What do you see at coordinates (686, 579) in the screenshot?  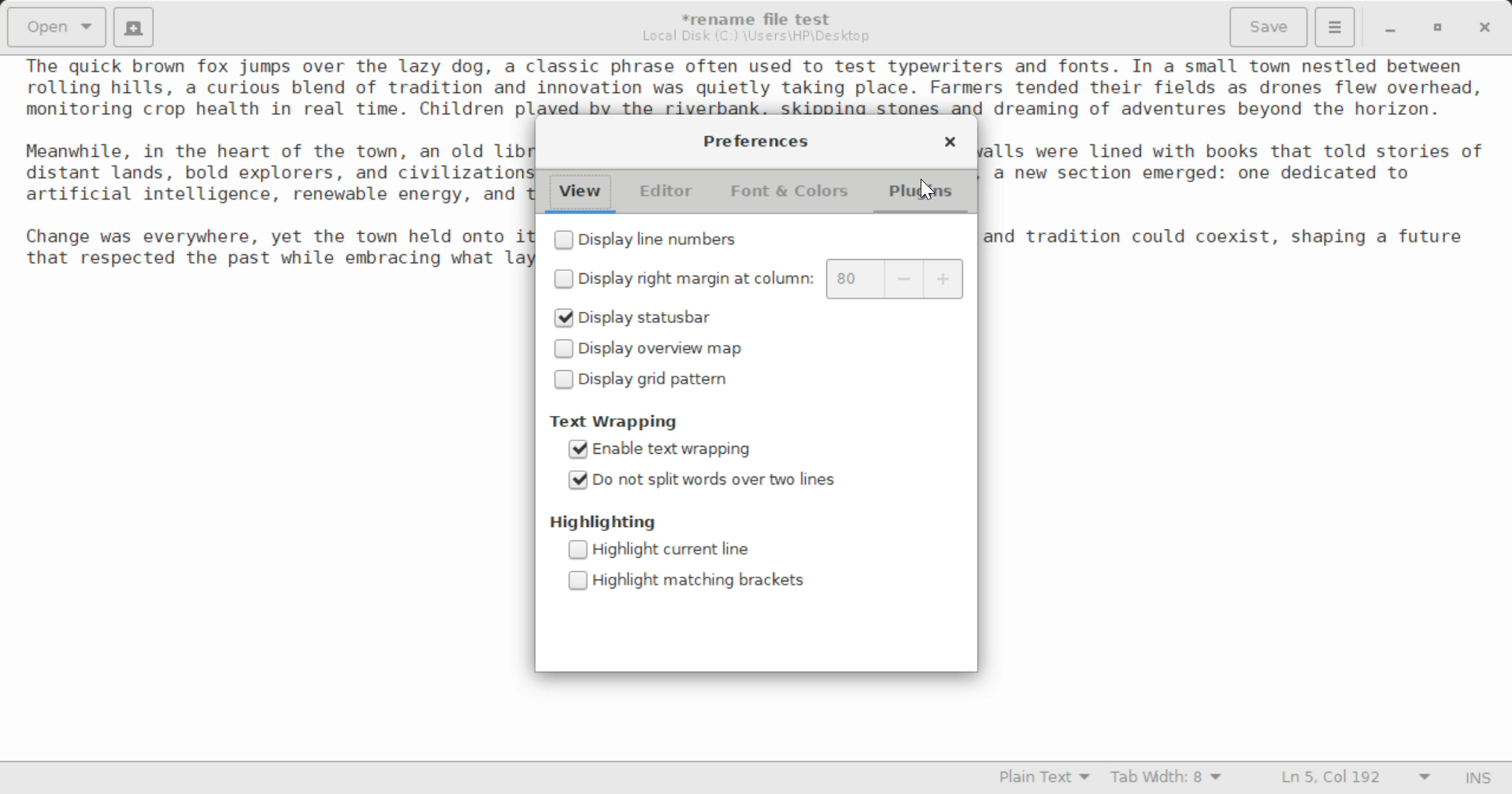 I see `Highlight matching brackets` at bounding box center [686, 579].